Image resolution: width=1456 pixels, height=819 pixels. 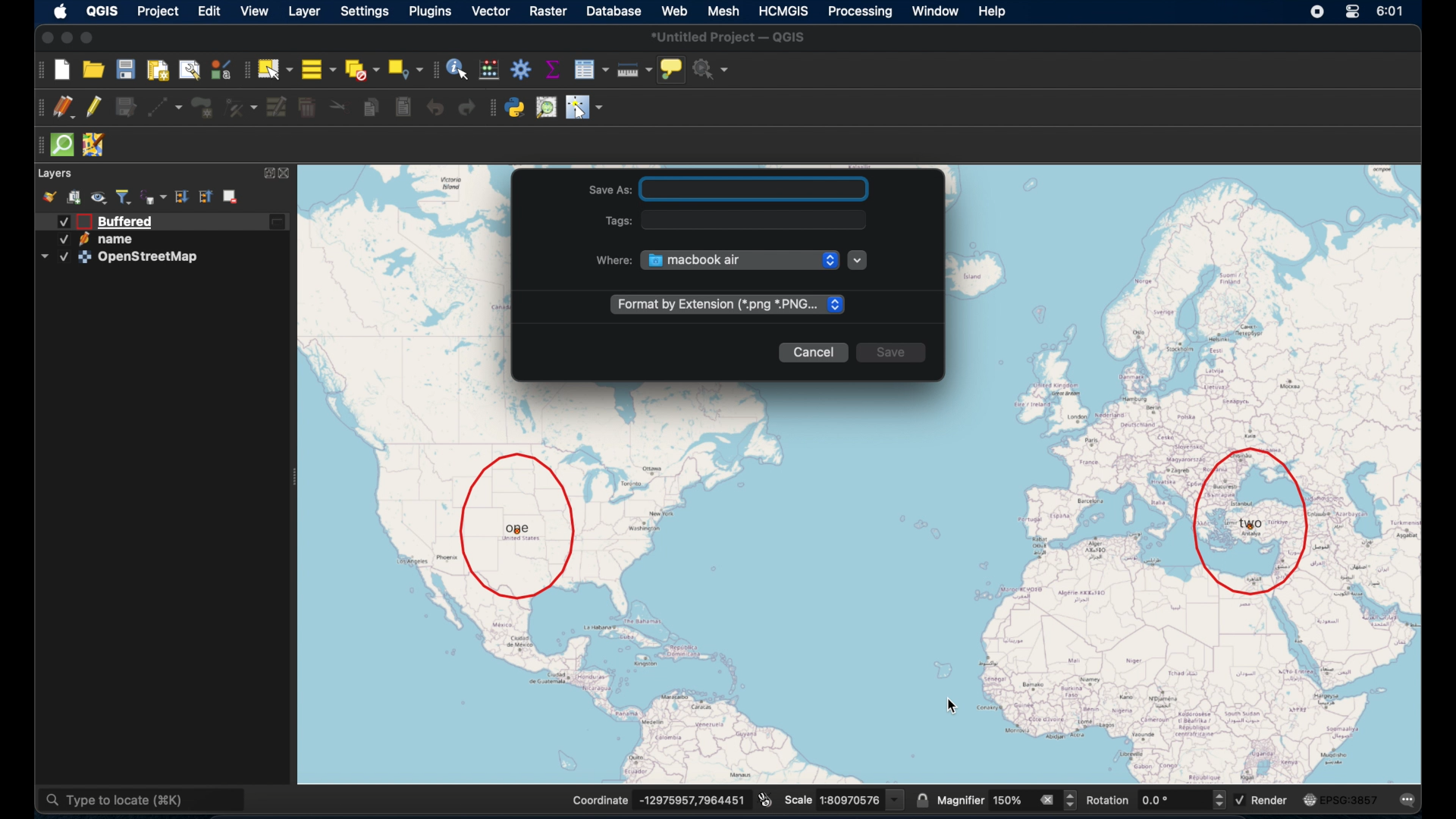 I want to click on toolbox, so click(x=522, y=71).